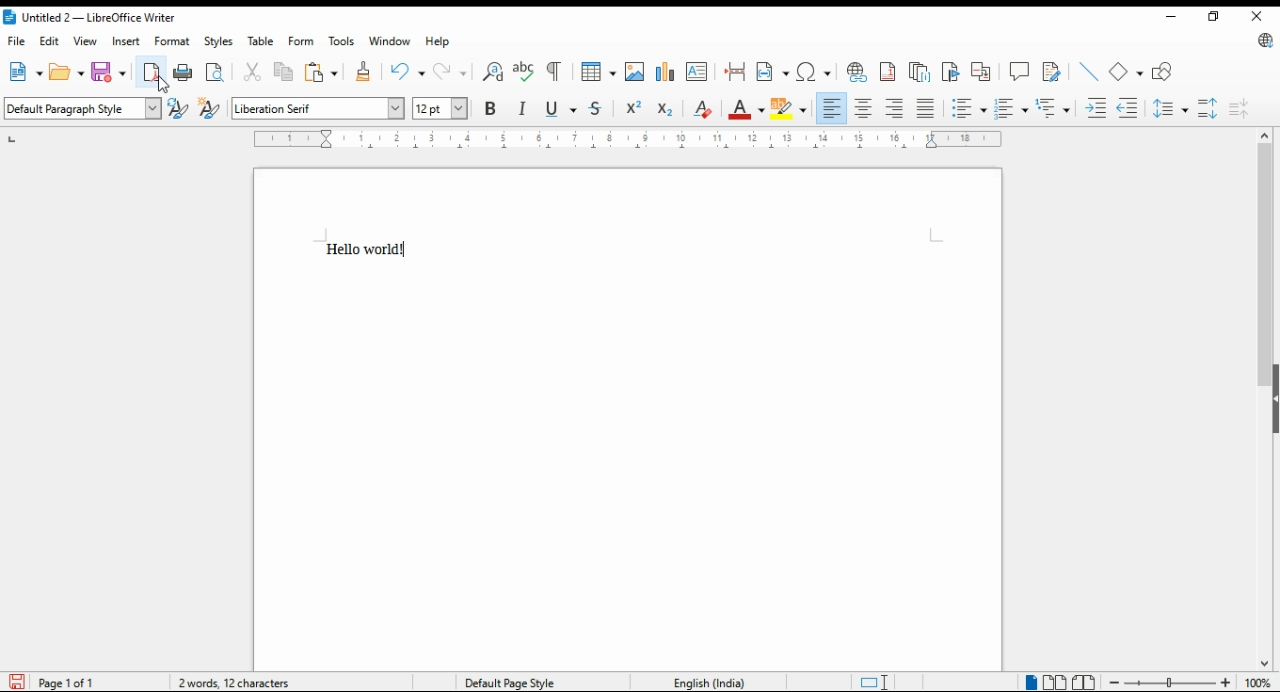  Describe the element at coordinates (107, 74) in the screenshot. I see `save` at that location.